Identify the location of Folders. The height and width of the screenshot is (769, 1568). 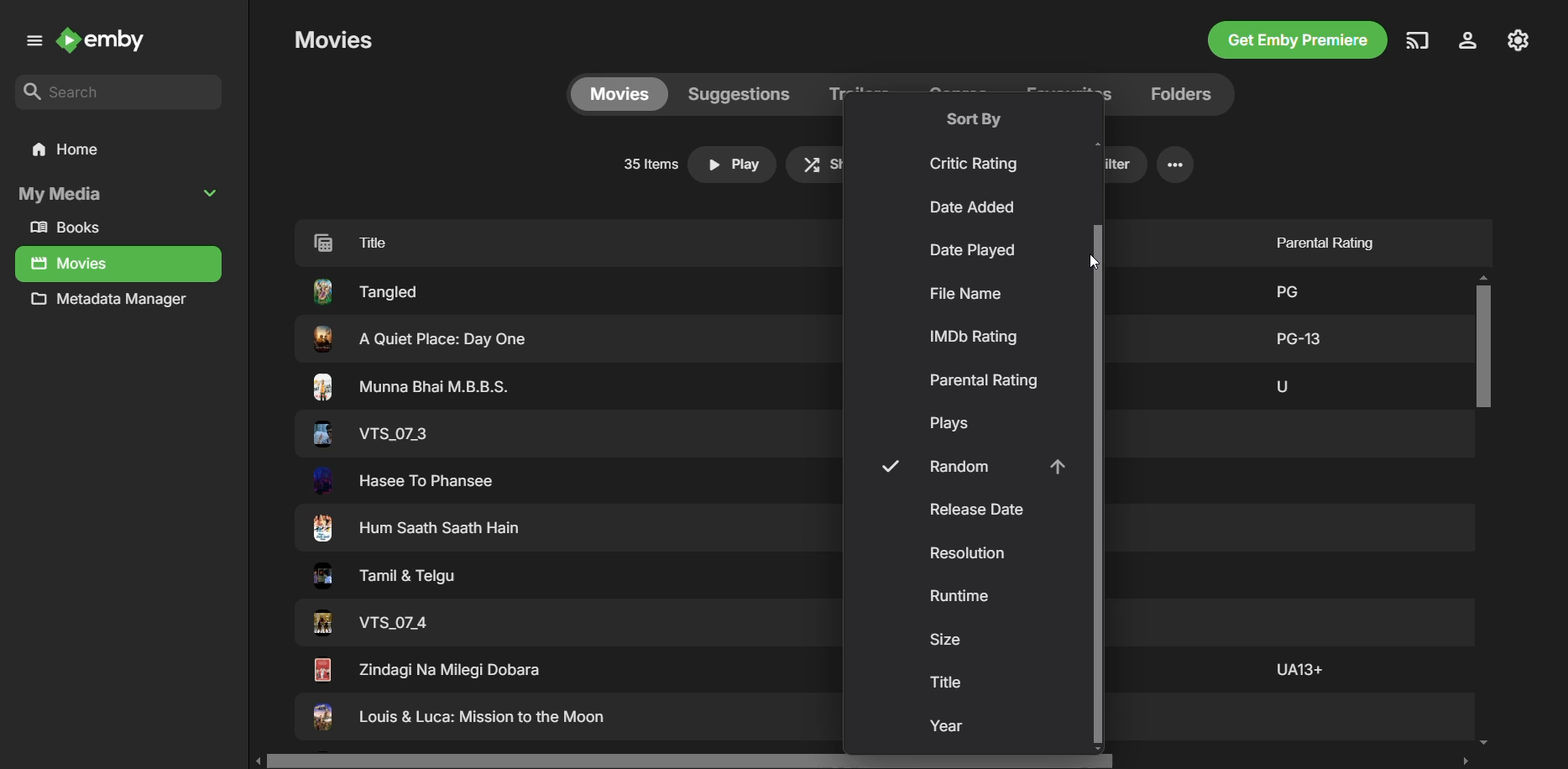
(1177, 94).